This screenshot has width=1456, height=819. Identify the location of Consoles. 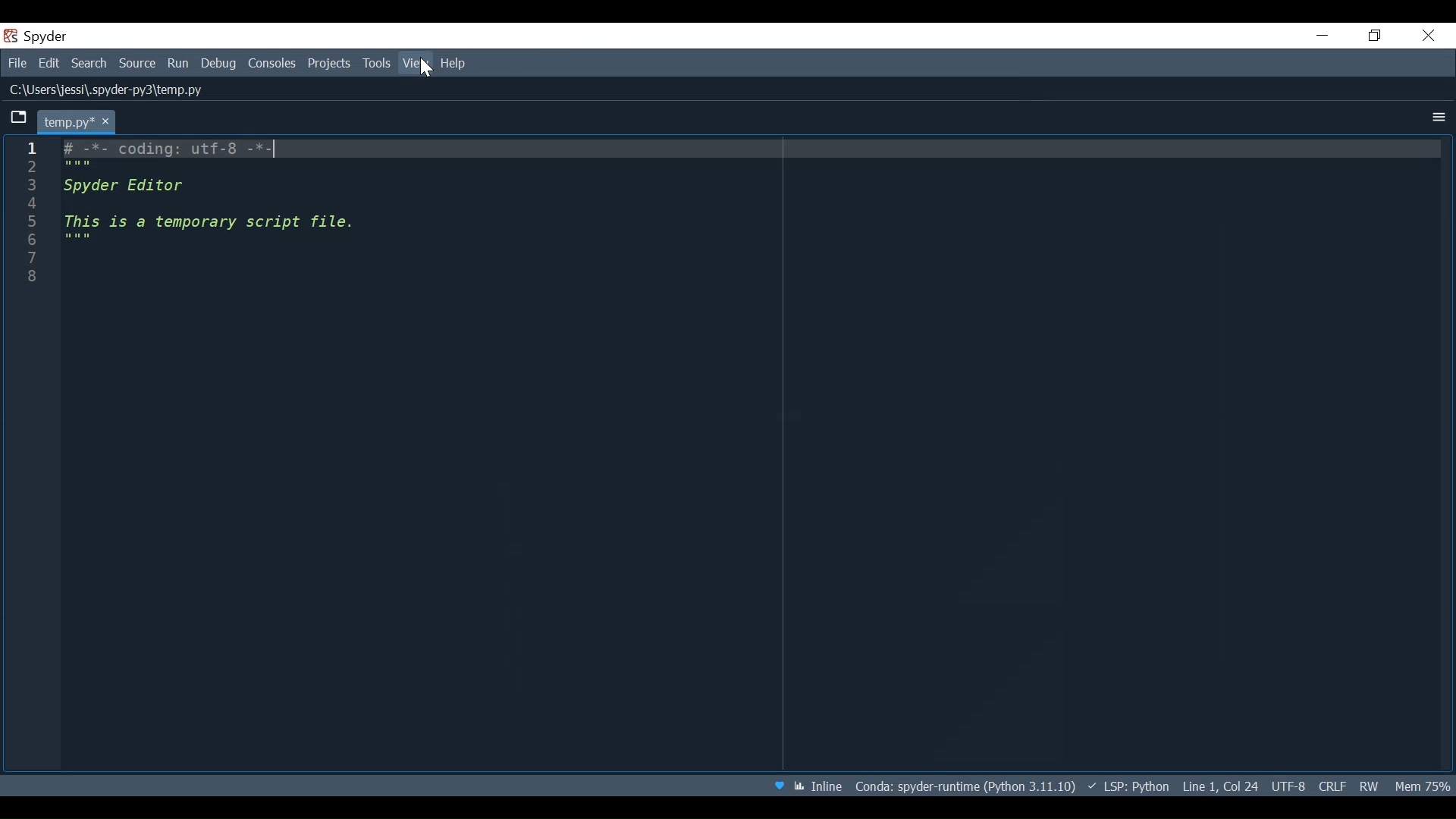
(274, 64).